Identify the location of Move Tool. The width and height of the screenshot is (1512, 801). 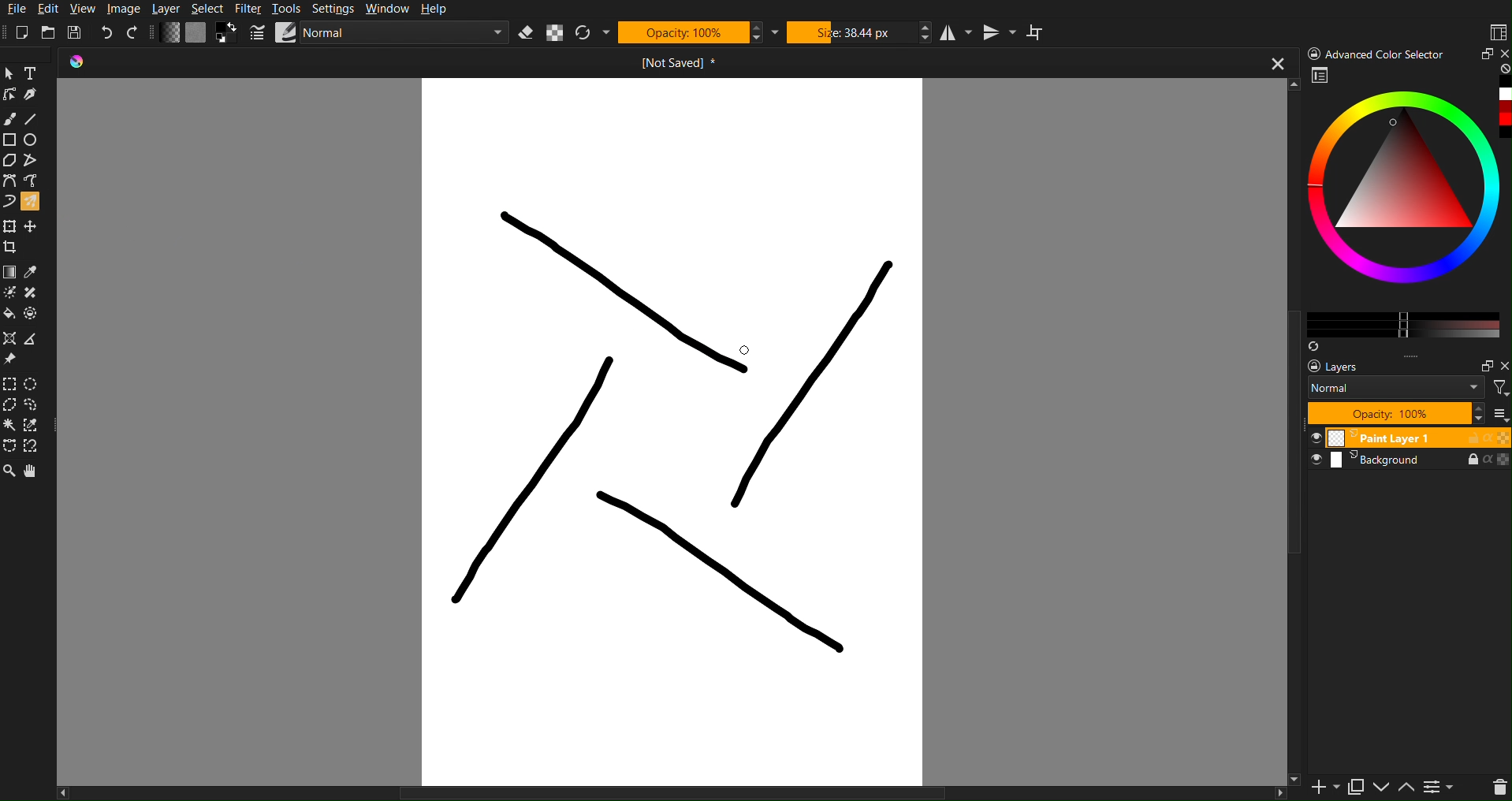
(34, 225).